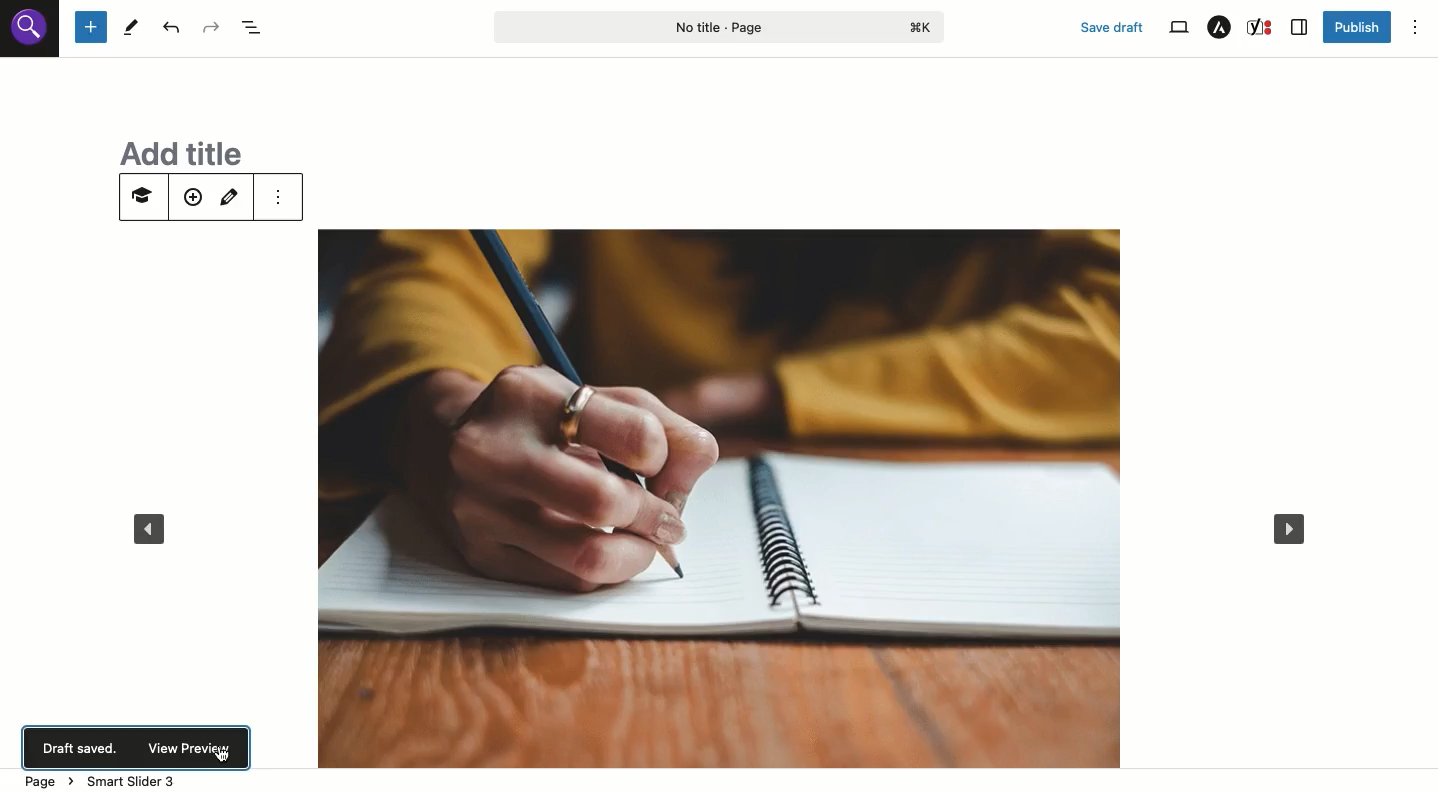 The width and height of the screenshot is (1438, 792). What do you see at coordinates (1296, 525) in the screenshot?
I see `next` at bounding box center [1296, 525].